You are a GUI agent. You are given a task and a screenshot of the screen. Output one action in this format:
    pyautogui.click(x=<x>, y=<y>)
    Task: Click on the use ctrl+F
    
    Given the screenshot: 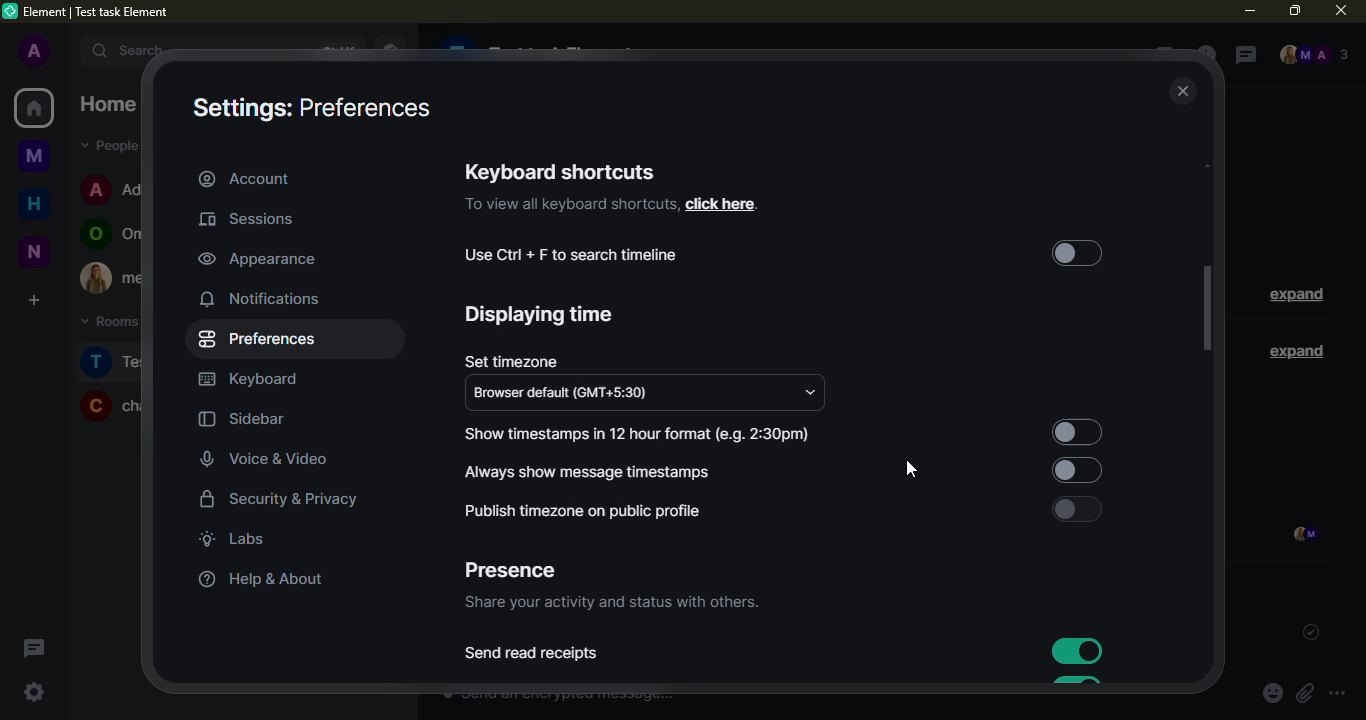 What is the action you would take?
    pyautogui.click(x=572, y=255)
    